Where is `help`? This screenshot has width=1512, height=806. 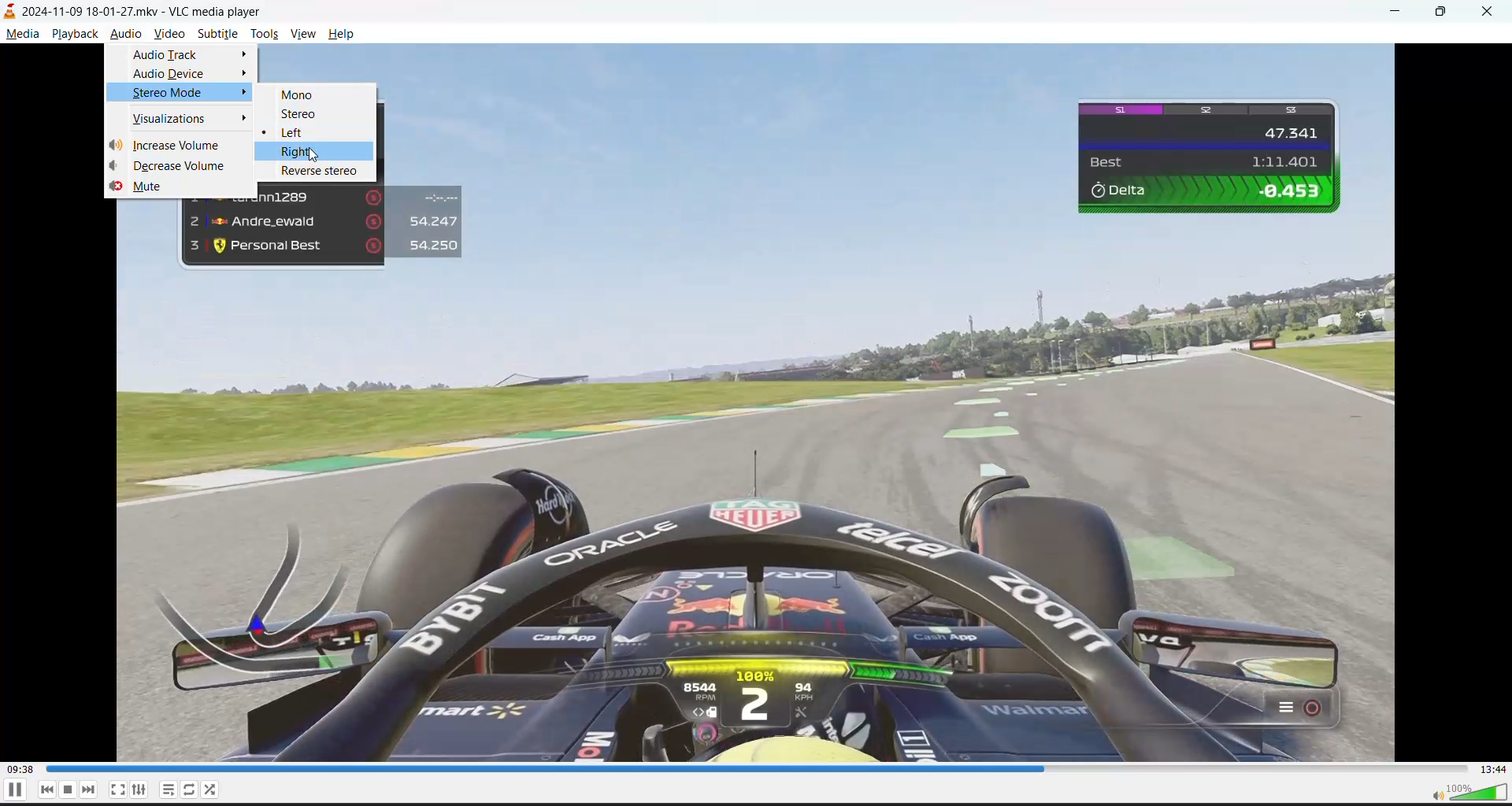
help is located at coordinates (338, 35).